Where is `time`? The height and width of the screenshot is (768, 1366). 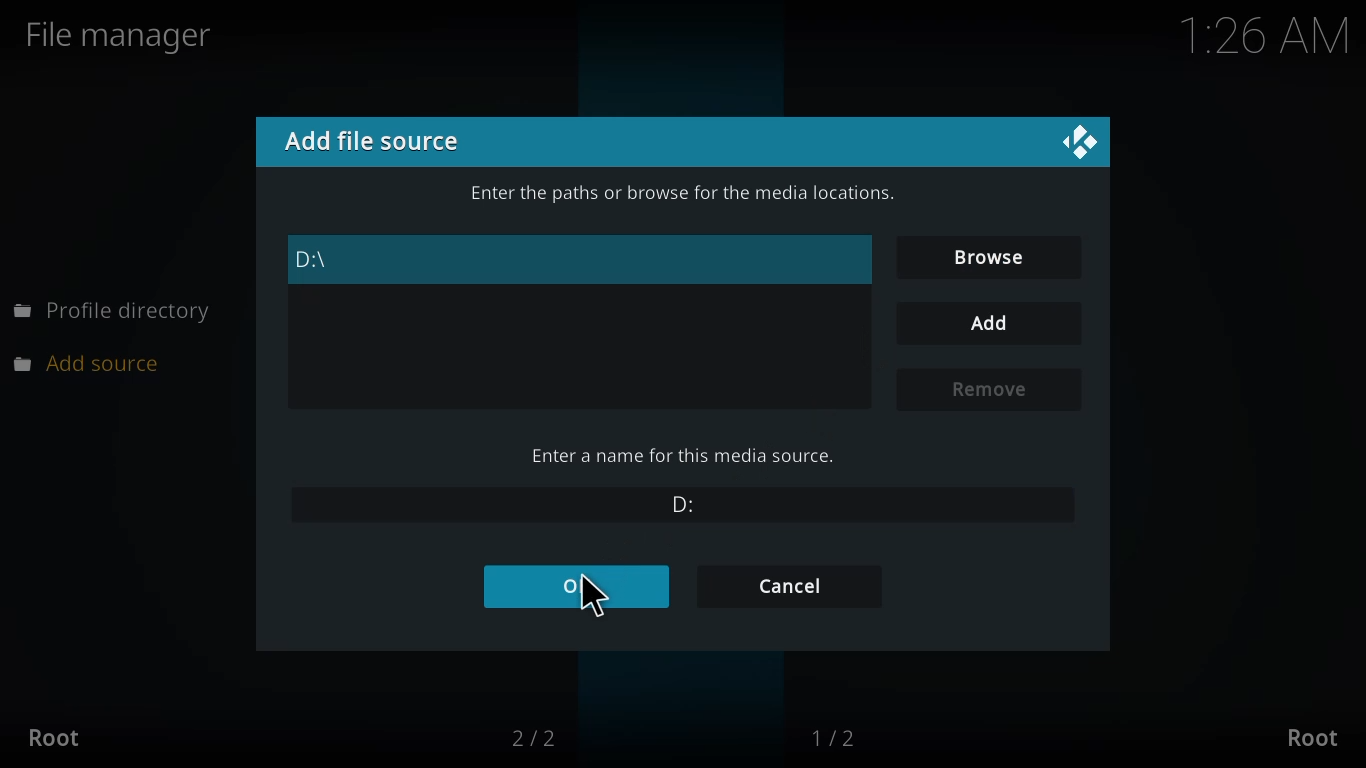 time is located at coordinates (1252, 37).